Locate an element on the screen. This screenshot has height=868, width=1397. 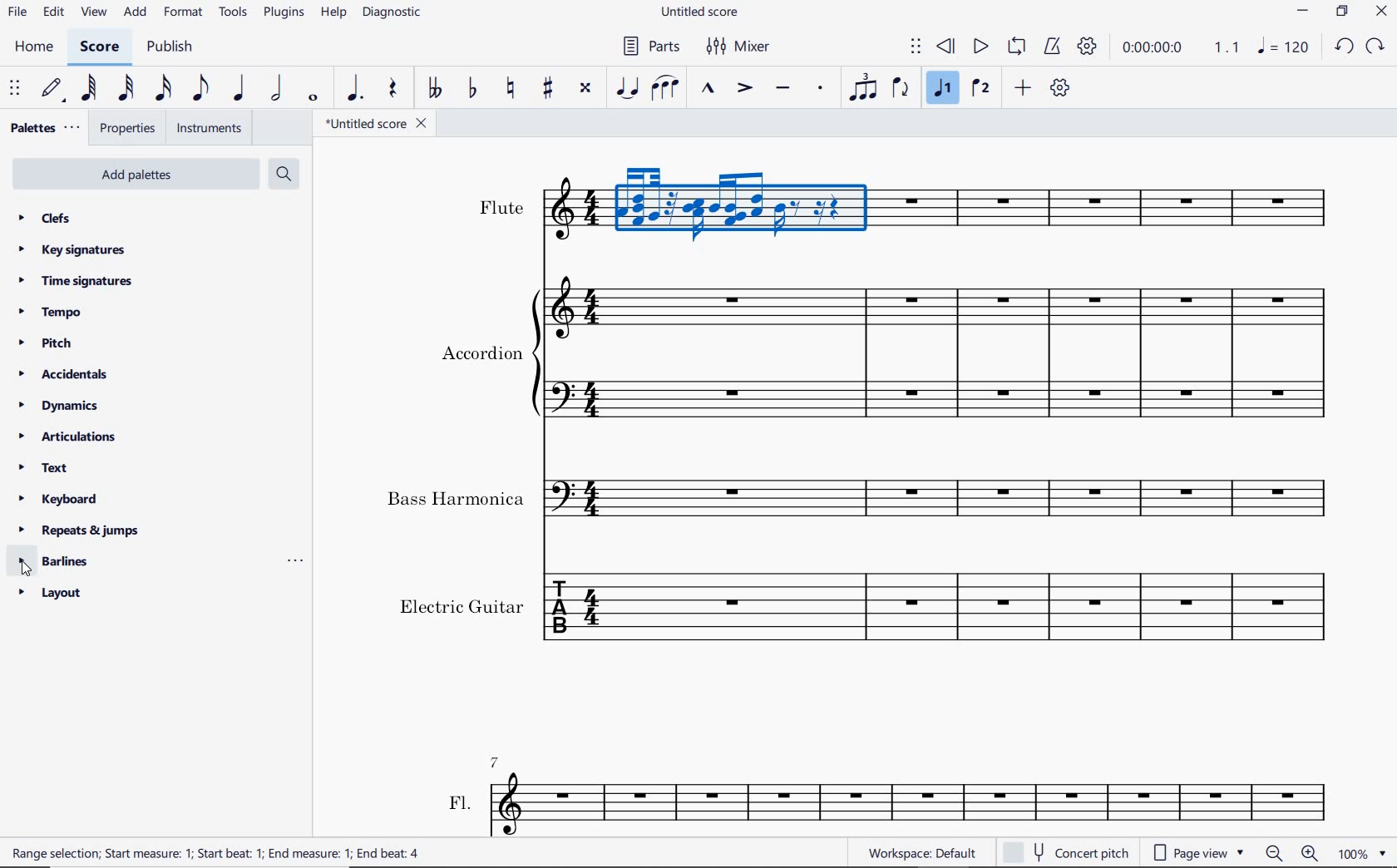
ZOOM FACTOR is located at coordinates (1361, 854).